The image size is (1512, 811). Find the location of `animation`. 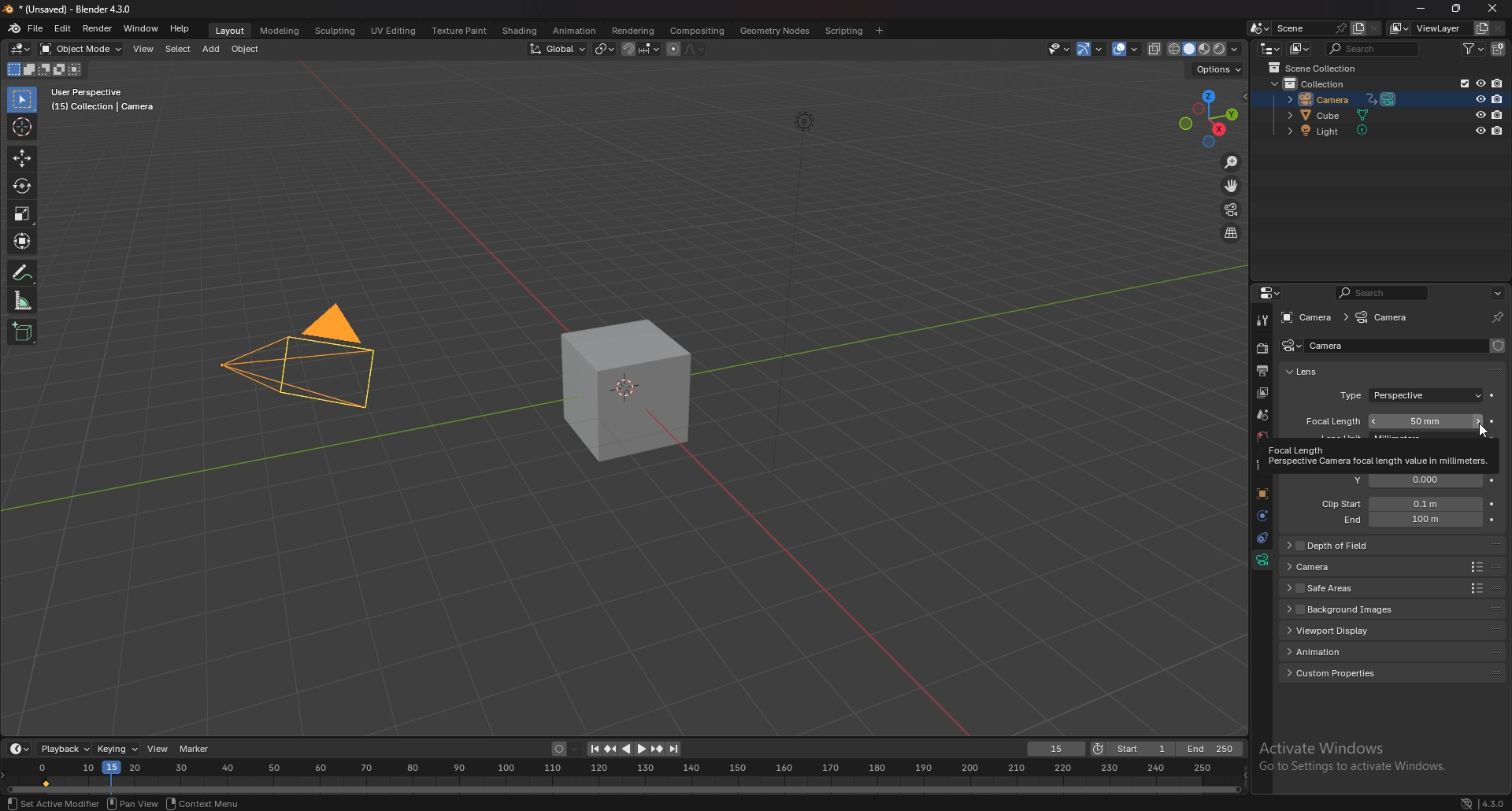

animation is located at coordinates (1347, 650).